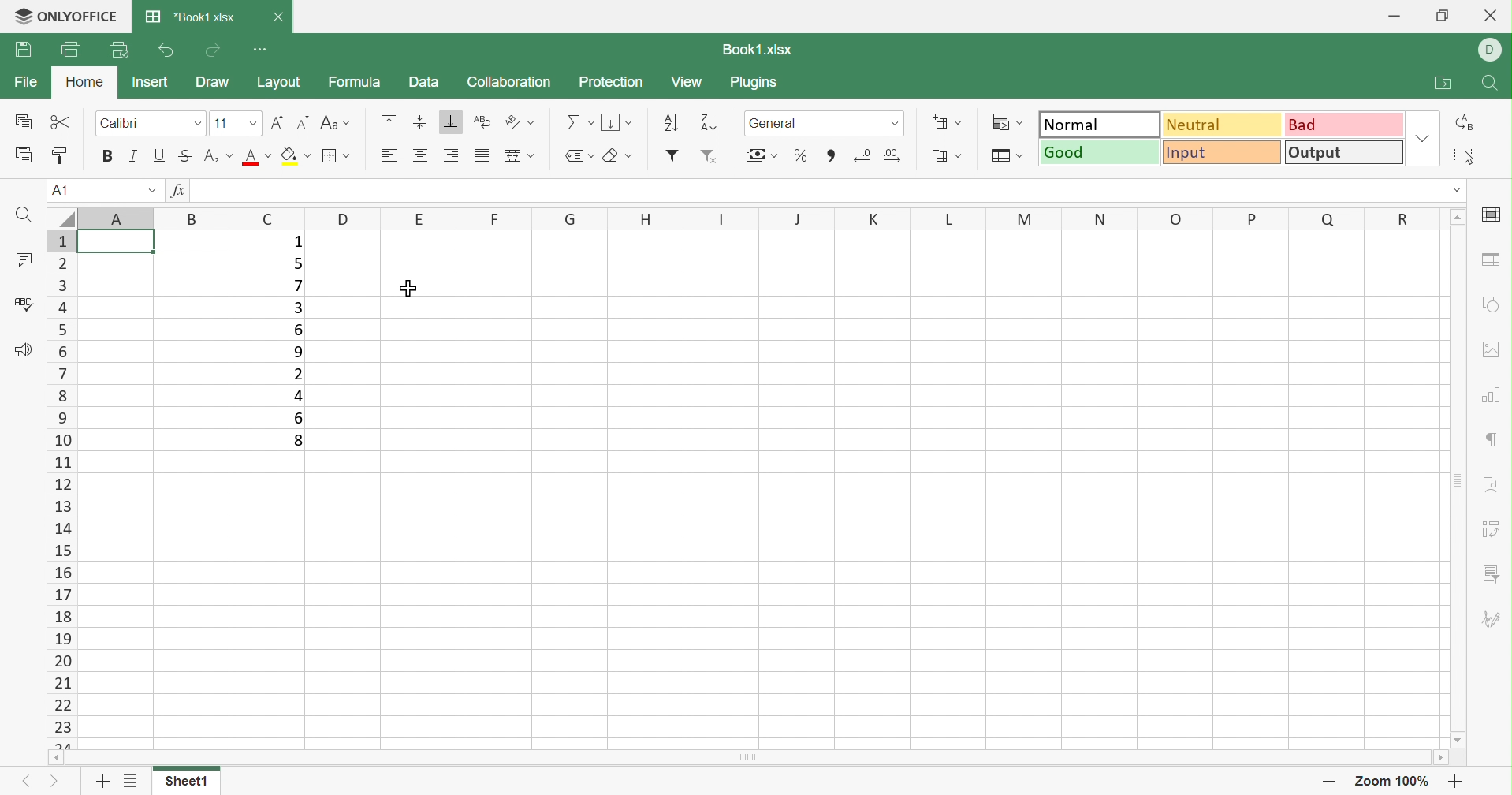 This screenshot has width=1512, height=795. What do you see at coordinates (182, 191) in the screenshot?
I see `fx` at bounding box center [182, 191].